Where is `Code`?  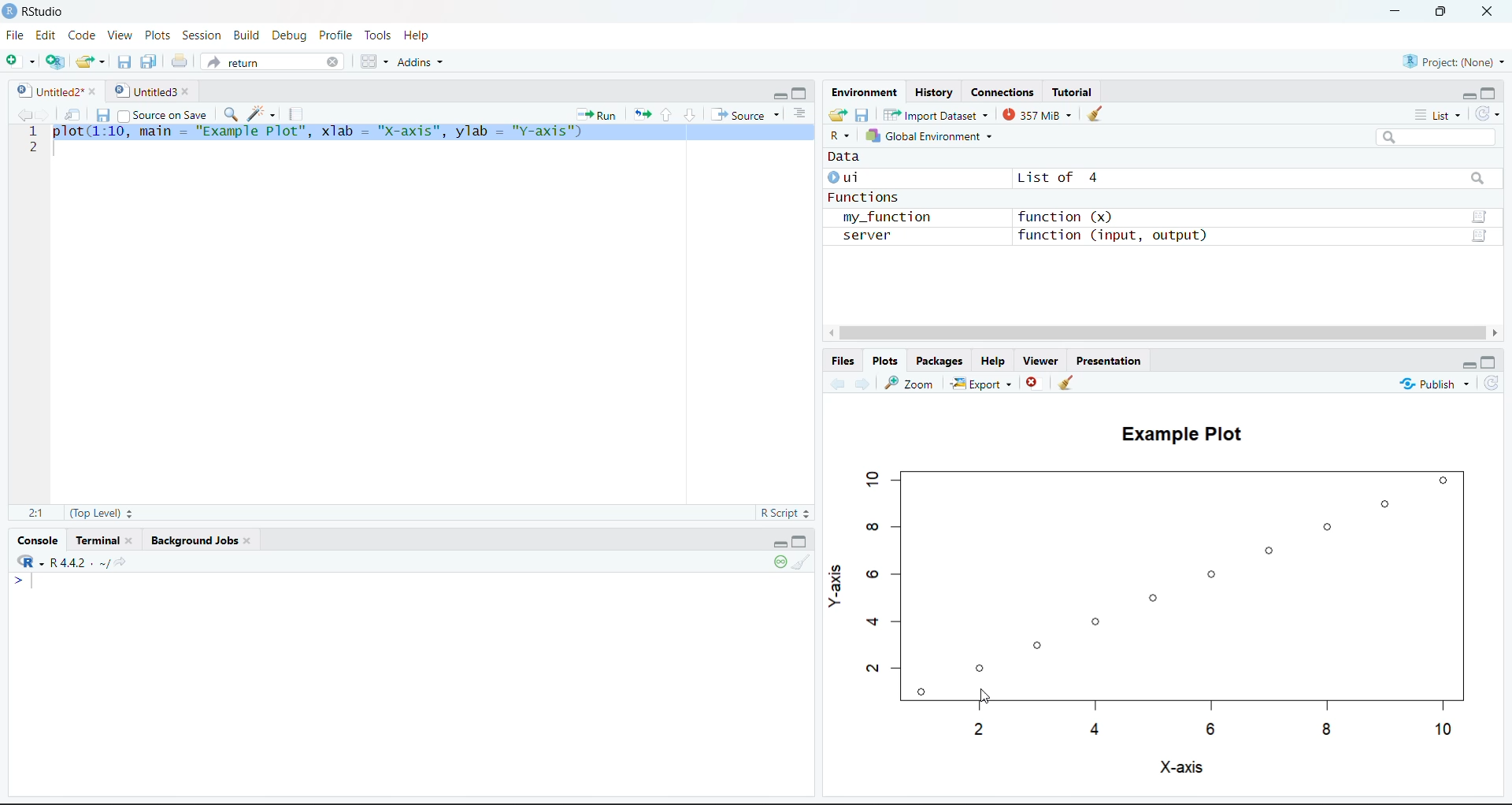 Code is located at coordinates (80, 35).